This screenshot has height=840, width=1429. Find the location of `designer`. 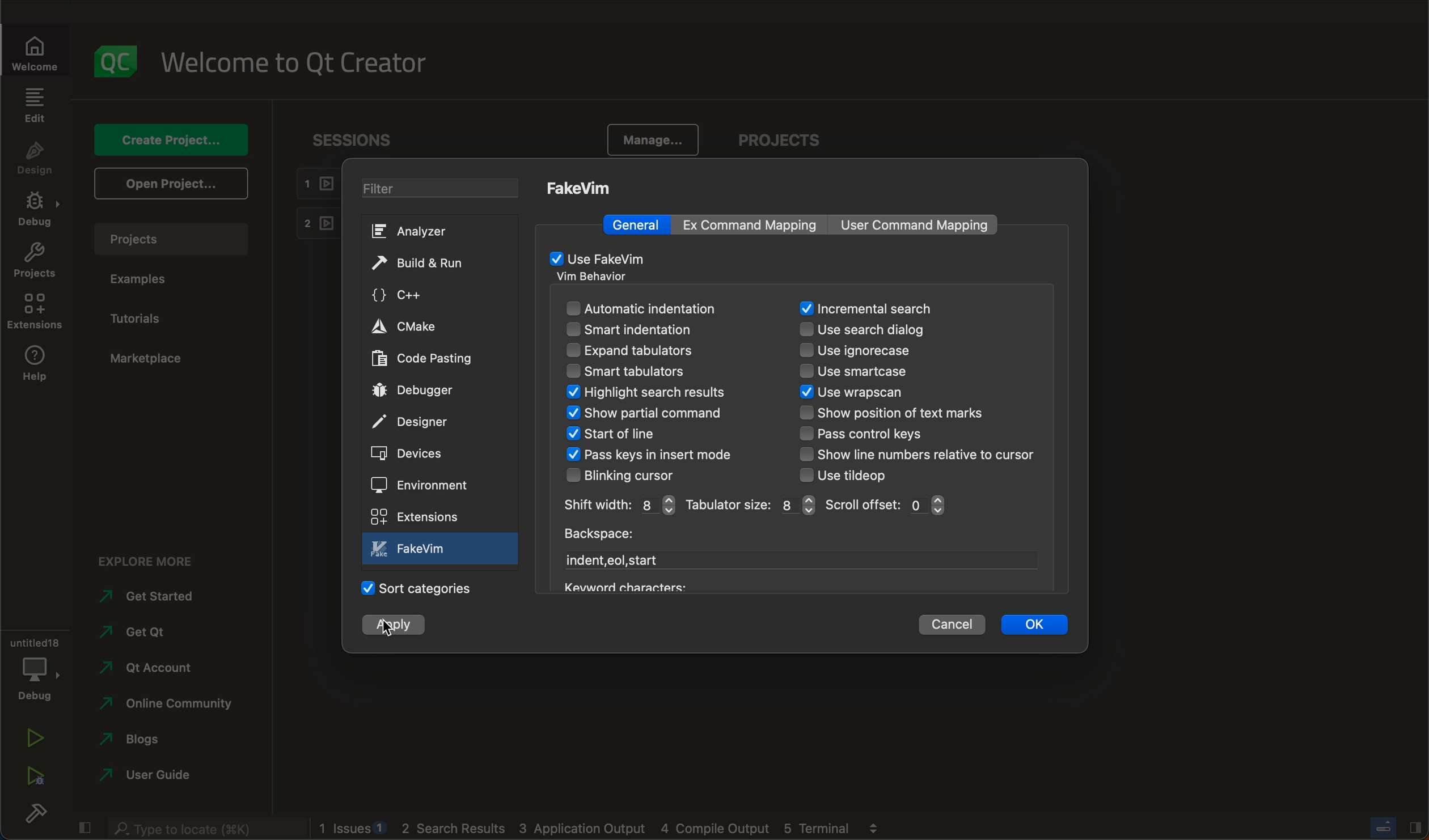

designer is located at coordinates (417, 422).